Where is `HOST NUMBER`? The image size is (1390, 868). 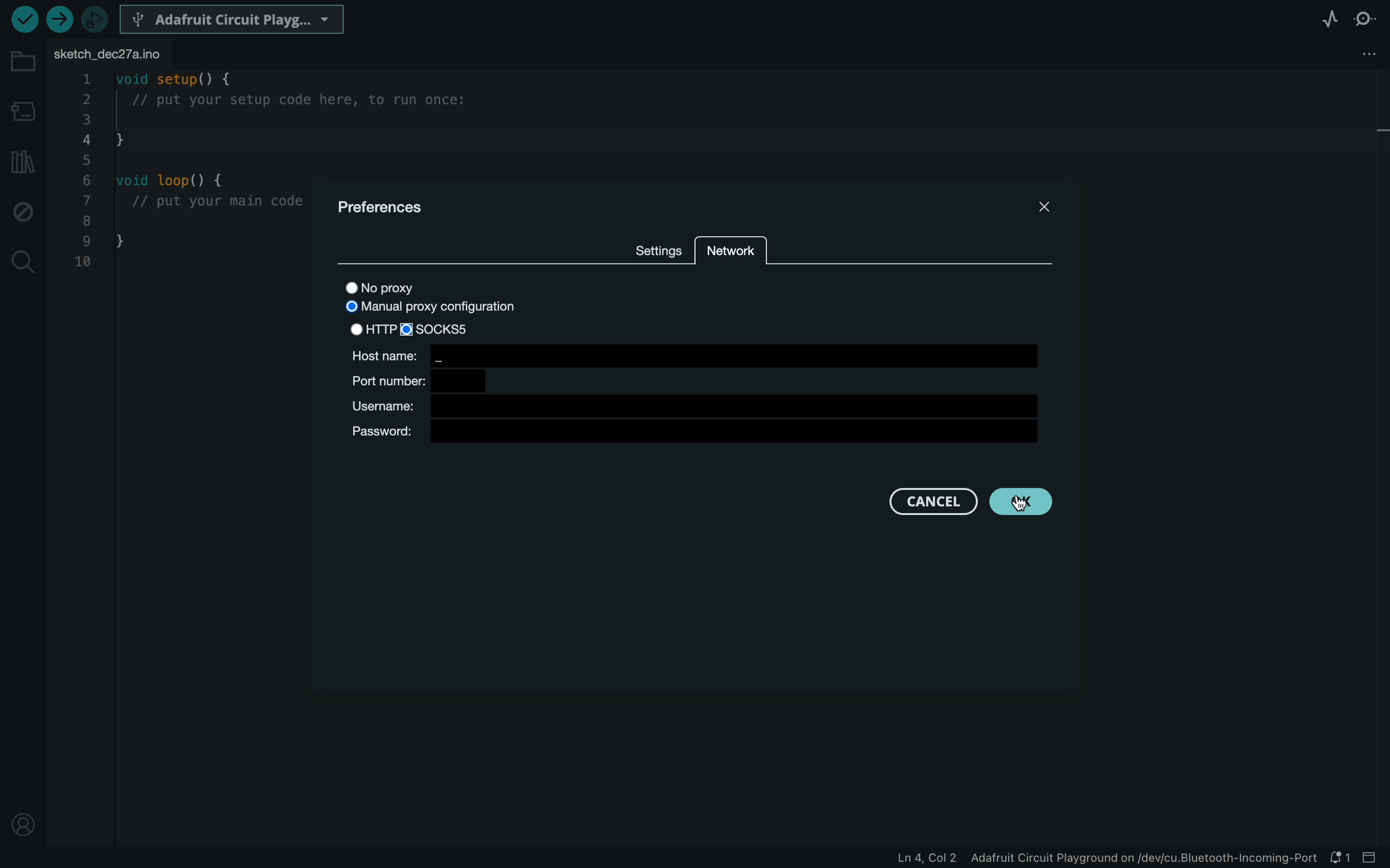 HOST NUMBER is located at coordinates (696, 358).